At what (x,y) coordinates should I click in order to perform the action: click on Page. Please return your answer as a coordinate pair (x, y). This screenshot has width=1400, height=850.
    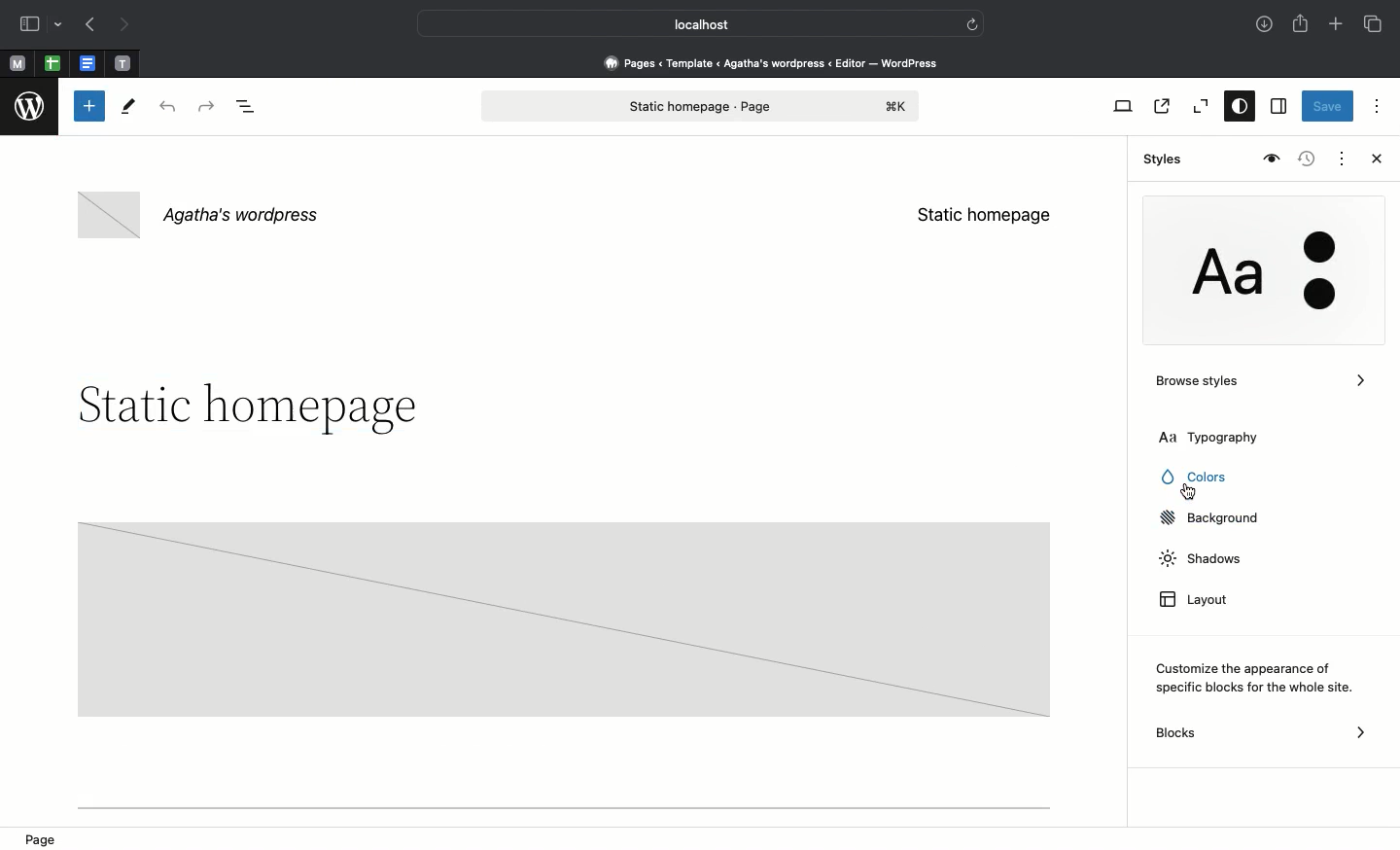
    Looking at the image, I should click on (47, 837).